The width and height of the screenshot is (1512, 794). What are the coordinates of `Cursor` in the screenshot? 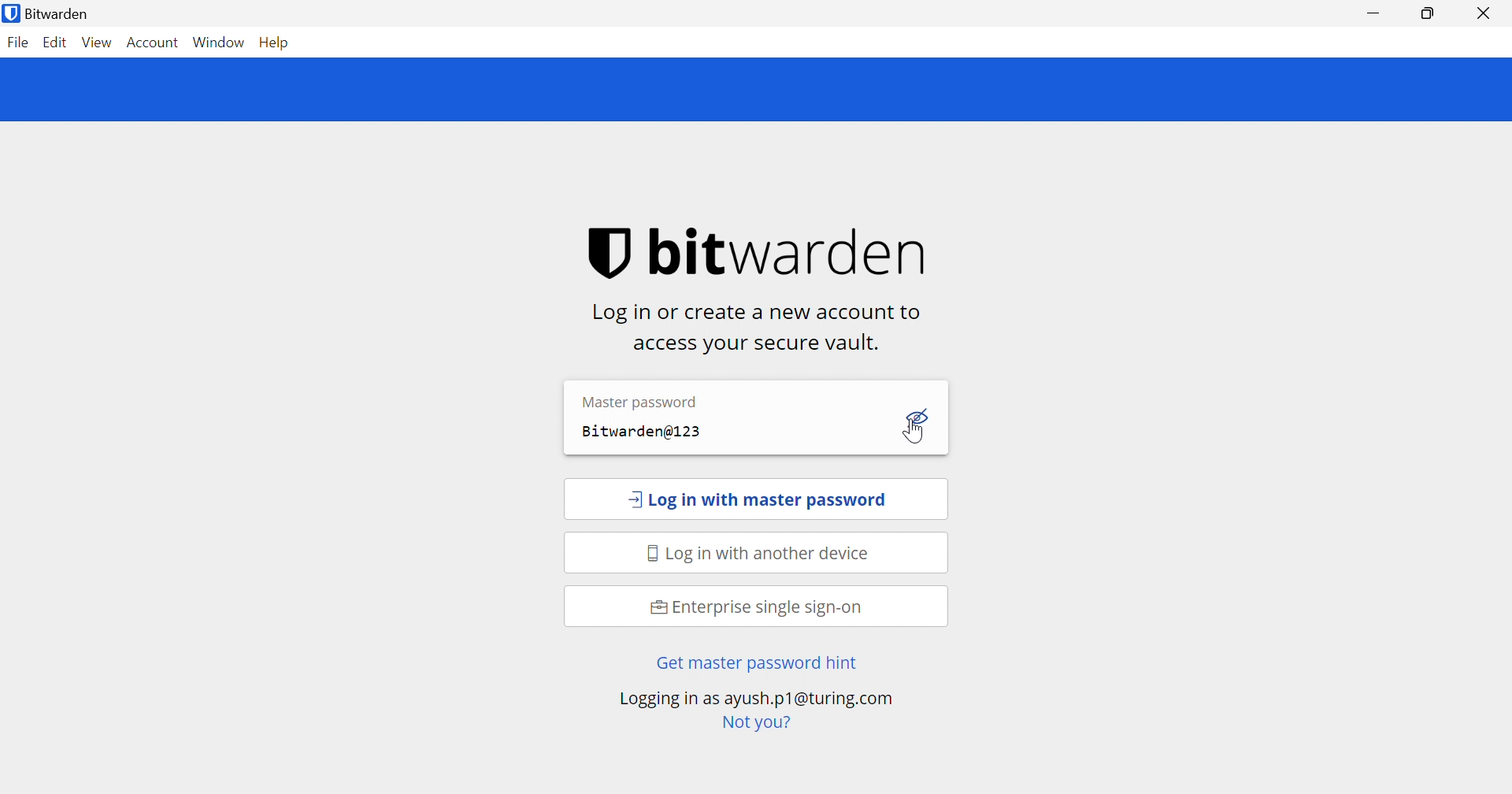 It's located at (909, 436).